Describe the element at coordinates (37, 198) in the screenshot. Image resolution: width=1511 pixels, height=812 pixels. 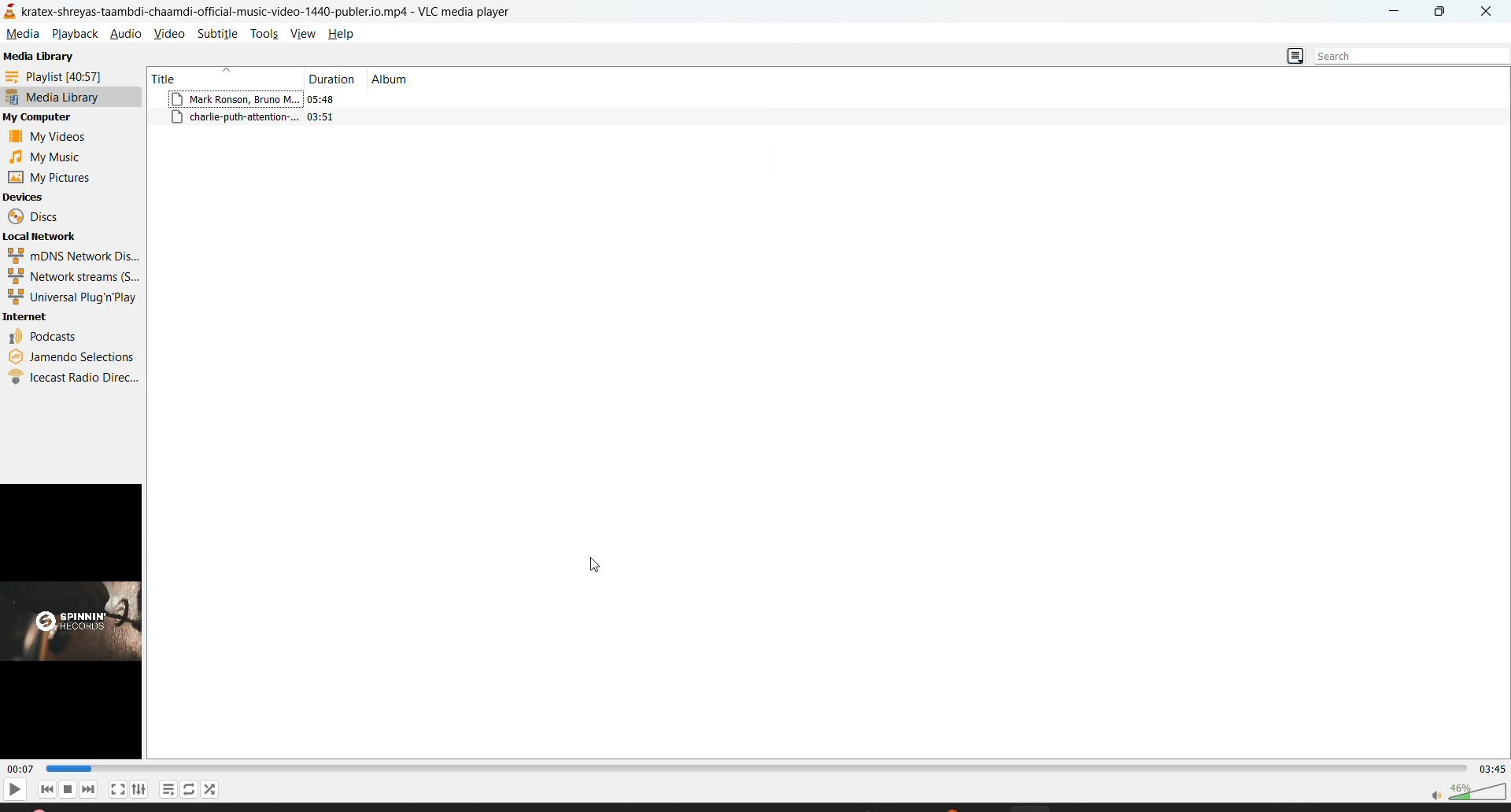
I see `devices` at that location.